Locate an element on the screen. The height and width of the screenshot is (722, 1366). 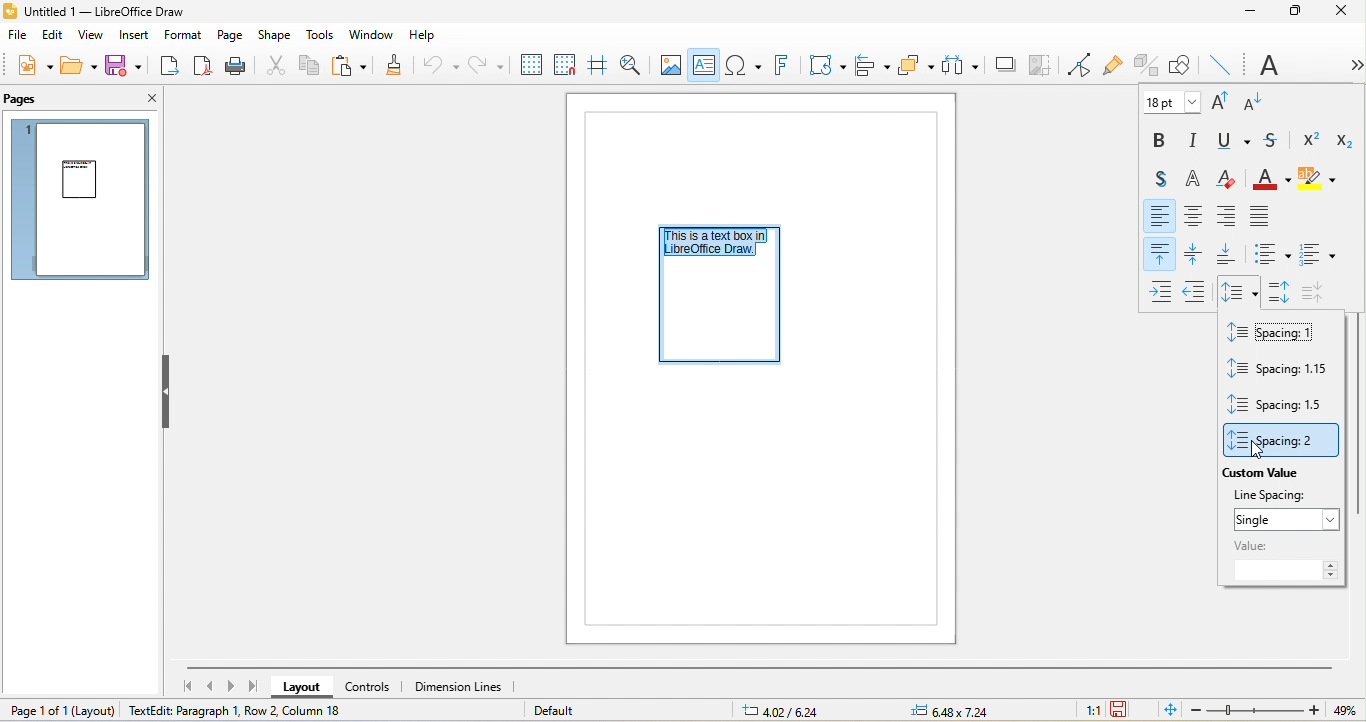
justified is located at coordinates (1259, 215).